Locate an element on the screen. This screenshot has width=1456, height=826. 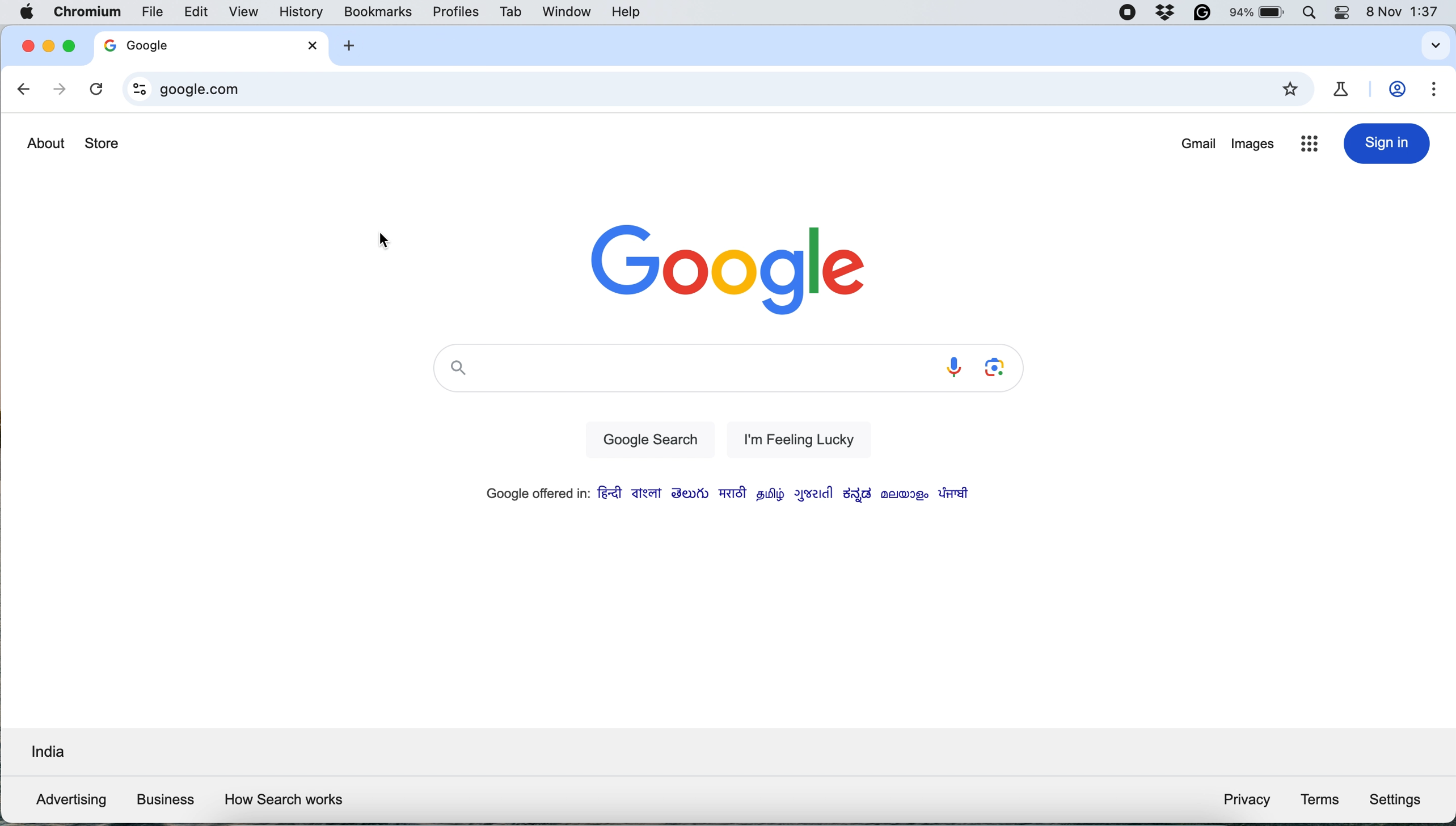
bookmark is located at coordinates (1293, 90).